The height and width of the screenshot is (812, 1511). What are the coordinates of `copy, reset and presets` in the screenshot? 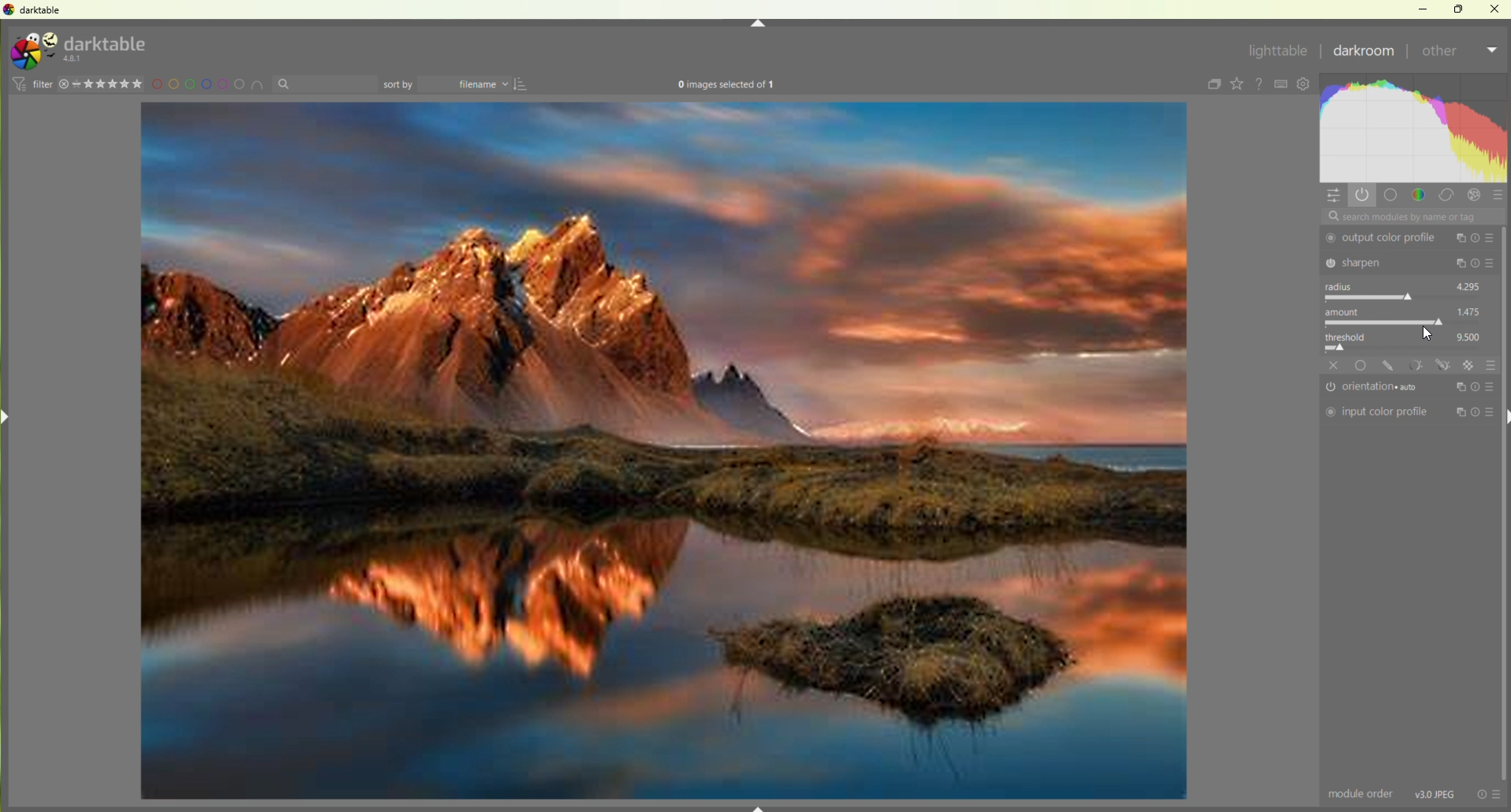 It's located at (1476, 264).